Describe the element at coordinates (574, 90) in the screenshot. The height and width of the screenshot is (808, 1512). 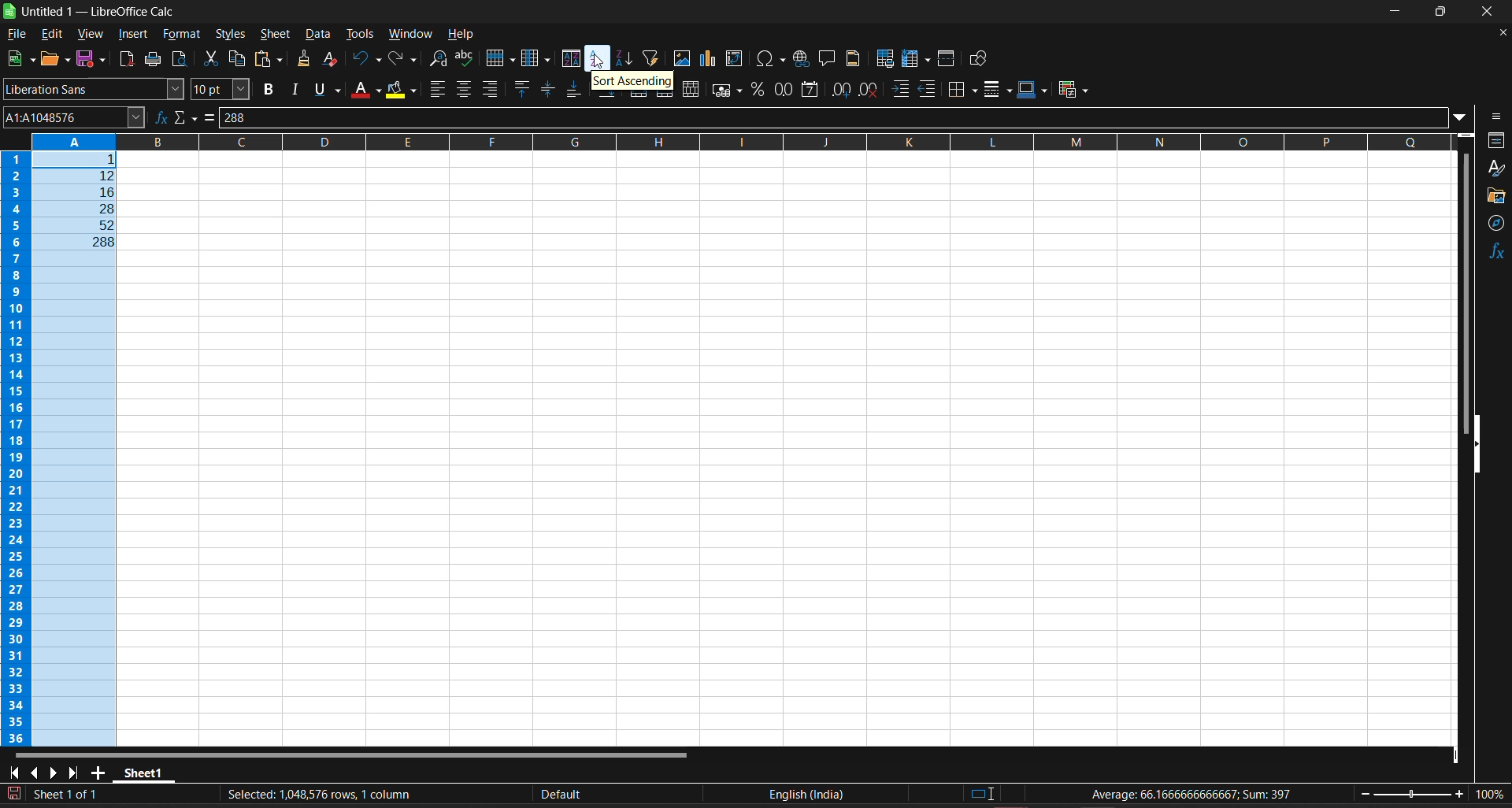
I see `align bottom` at that location.